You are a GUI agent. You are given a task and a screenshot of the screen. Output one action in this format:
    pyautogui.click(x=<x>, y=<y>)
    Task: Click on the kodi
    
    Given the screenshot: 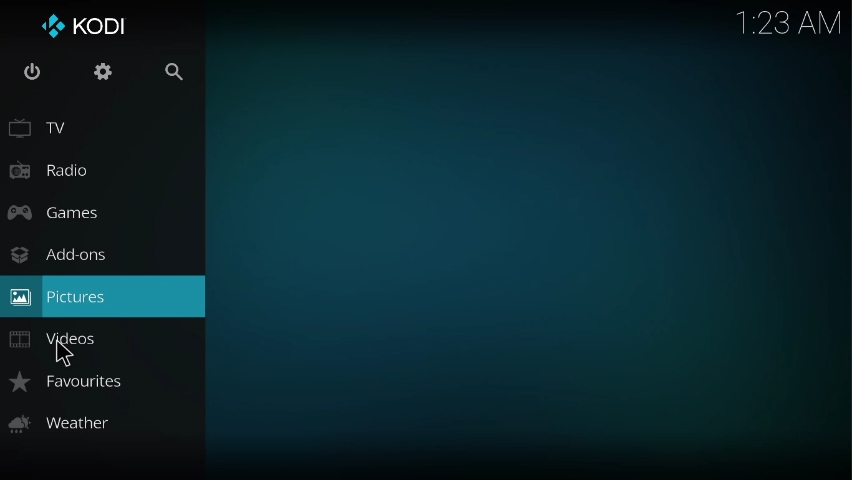 What is the action you would take?
    pyautogui.click(x=82, y=27)
    